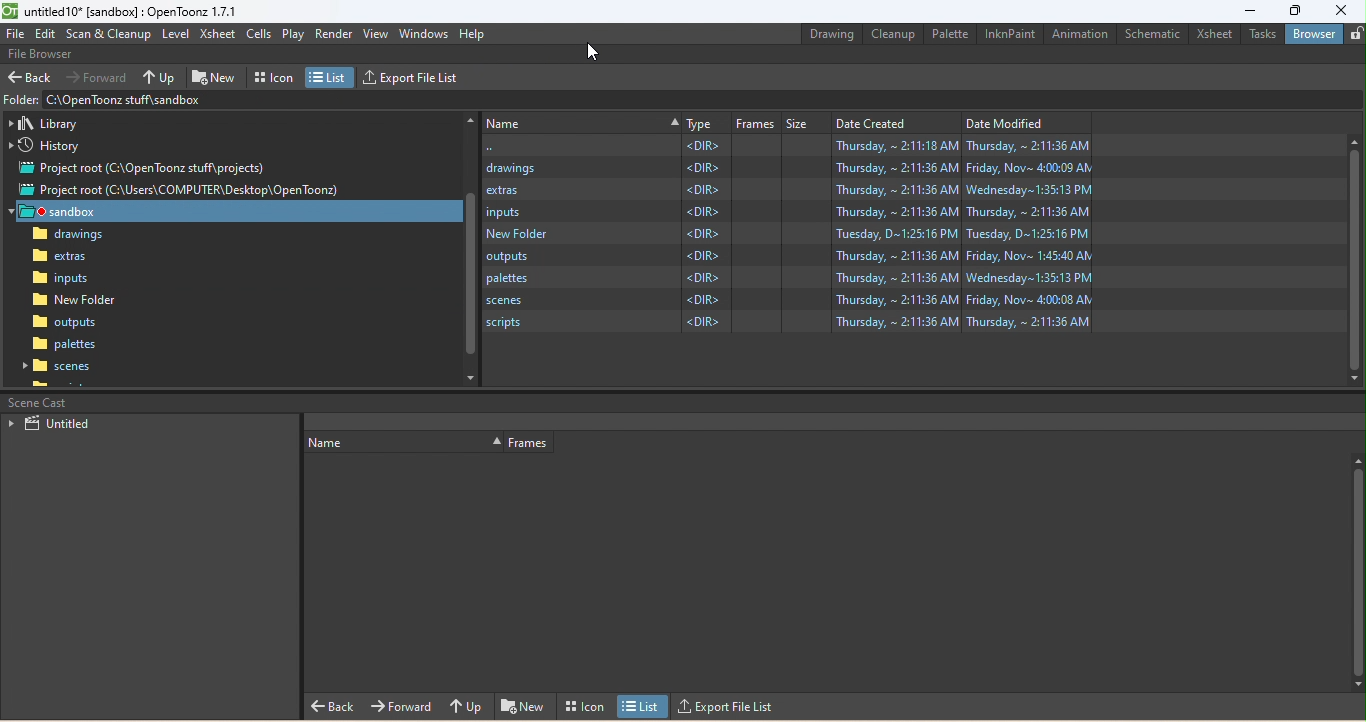 The image size is (1366, 722). Describe the element at coordinates (10, 10) in the screenshot. I see `logo` at that location.